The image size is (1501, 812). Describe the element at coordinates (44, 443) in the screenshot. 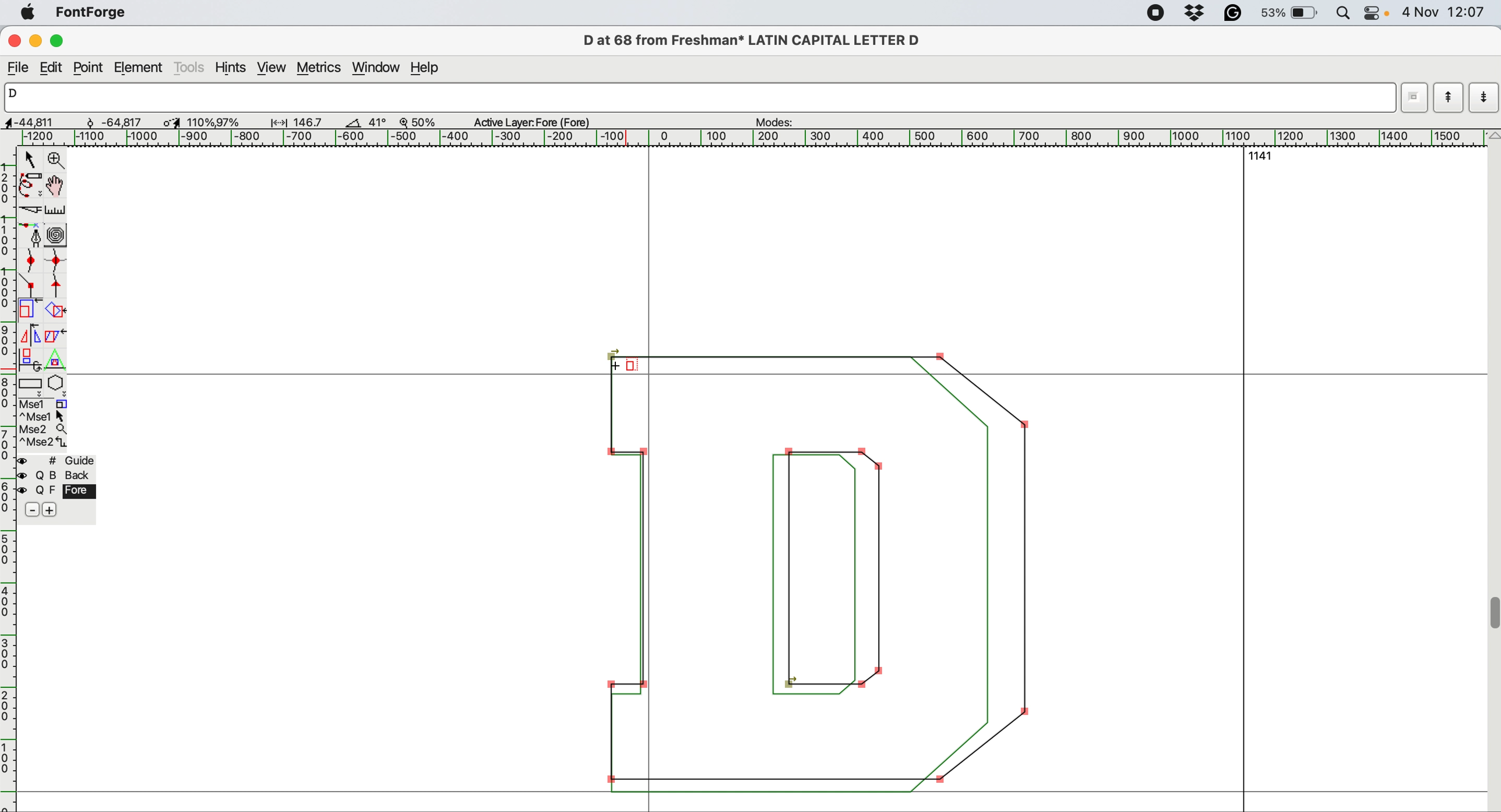

I see `^Mse2` at that location.